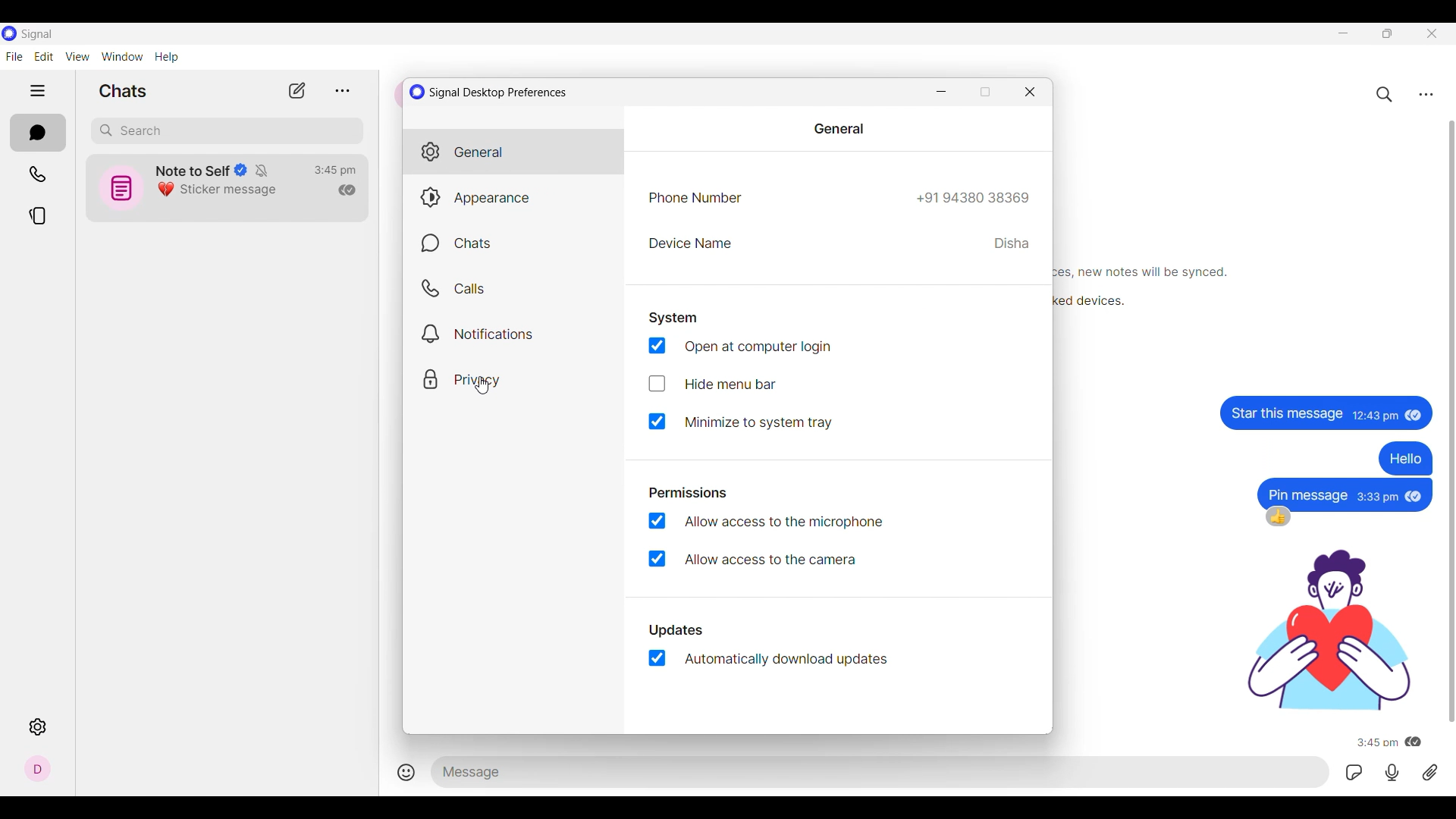  Describe the element at coordinates (688, 492) in the screenshot. I see `permissions` at that location.